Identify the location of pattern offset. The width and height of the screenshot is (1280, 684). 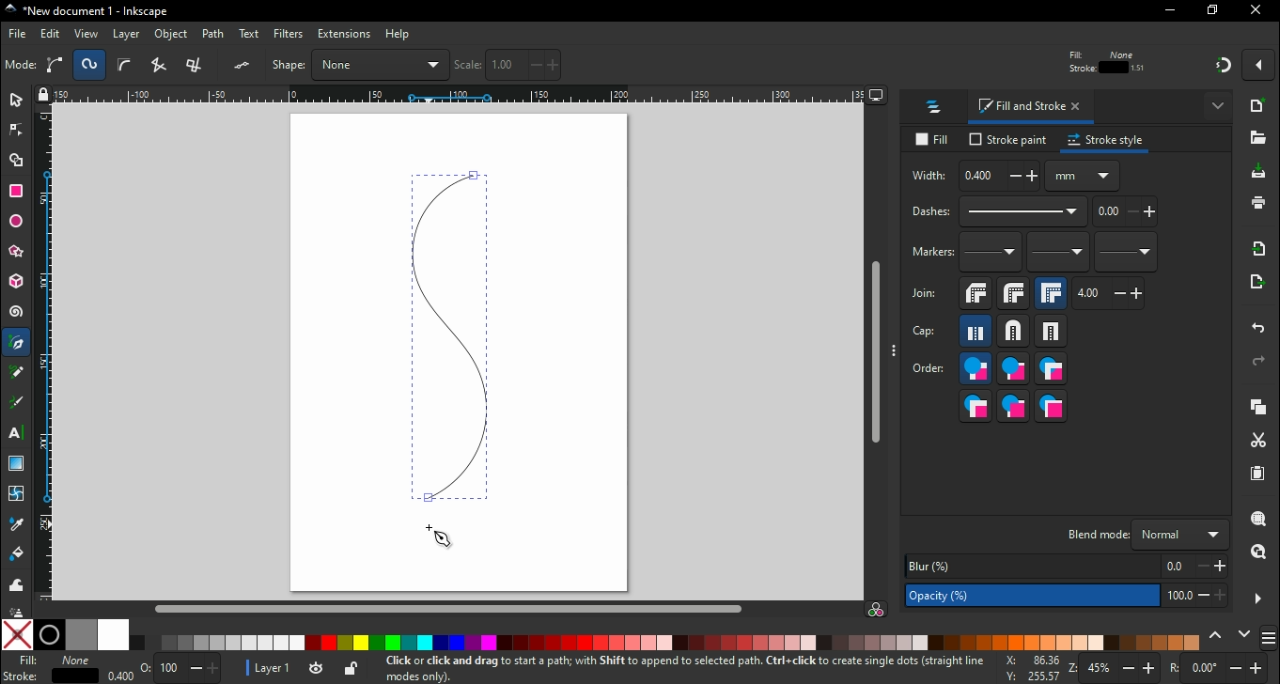
(1127, 217).